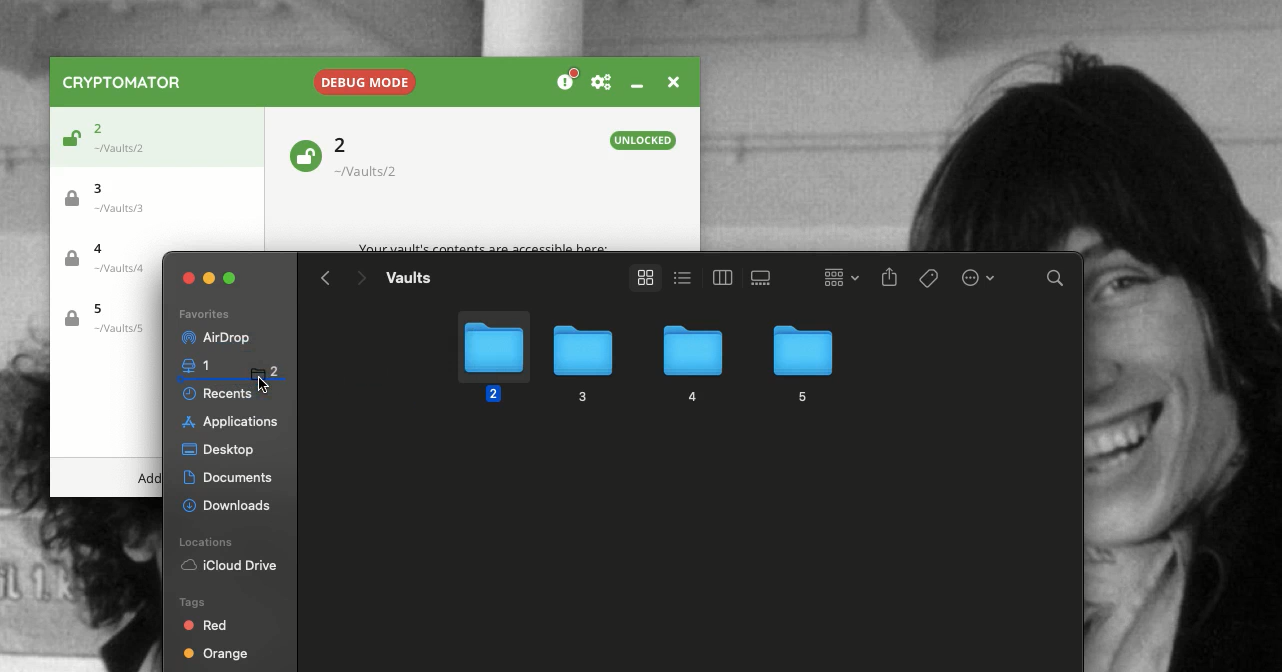  I want to click on Close, so click(671, 80).